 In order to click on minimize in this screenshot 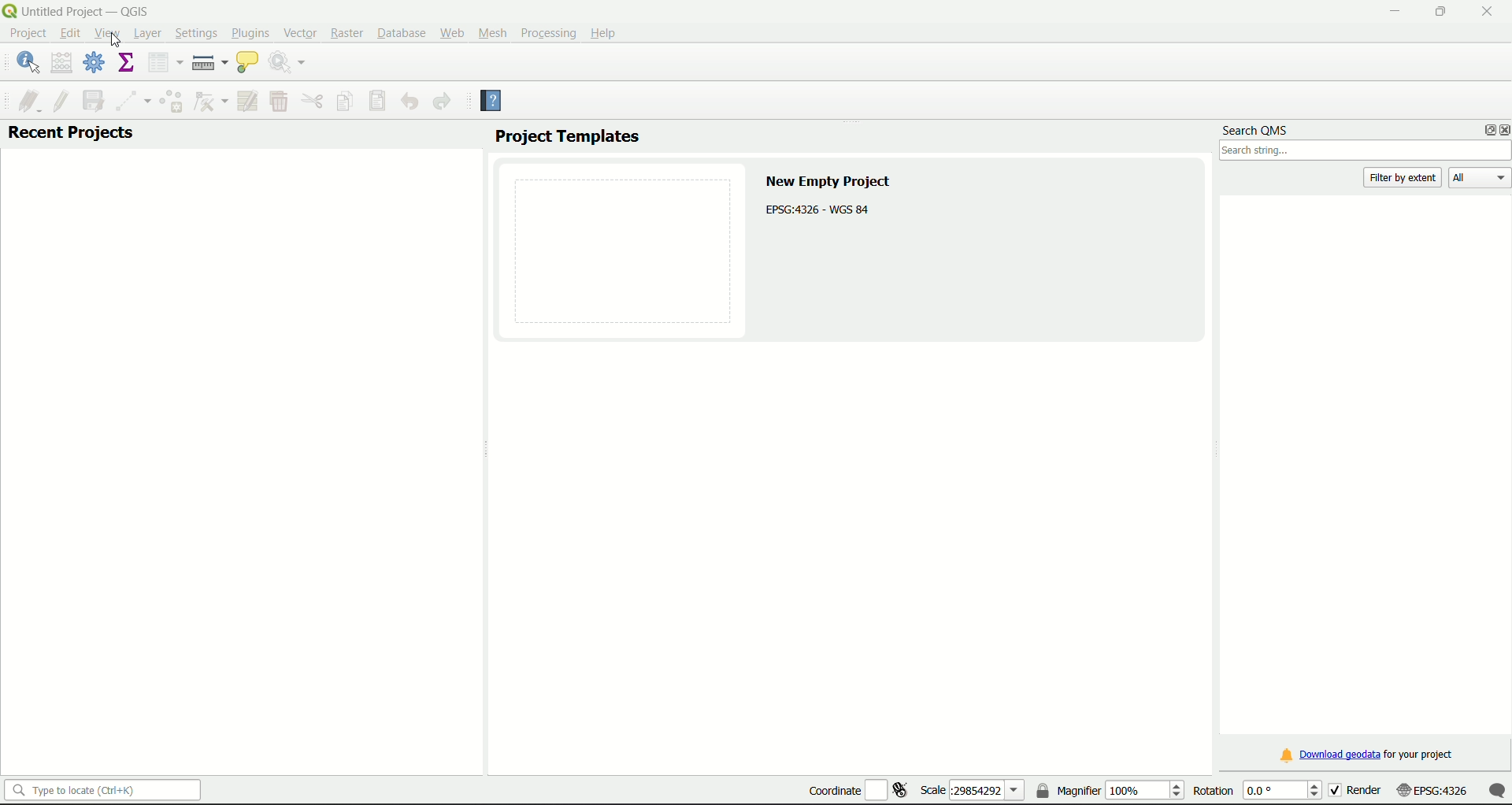, I will do `click(1392, 12)`.